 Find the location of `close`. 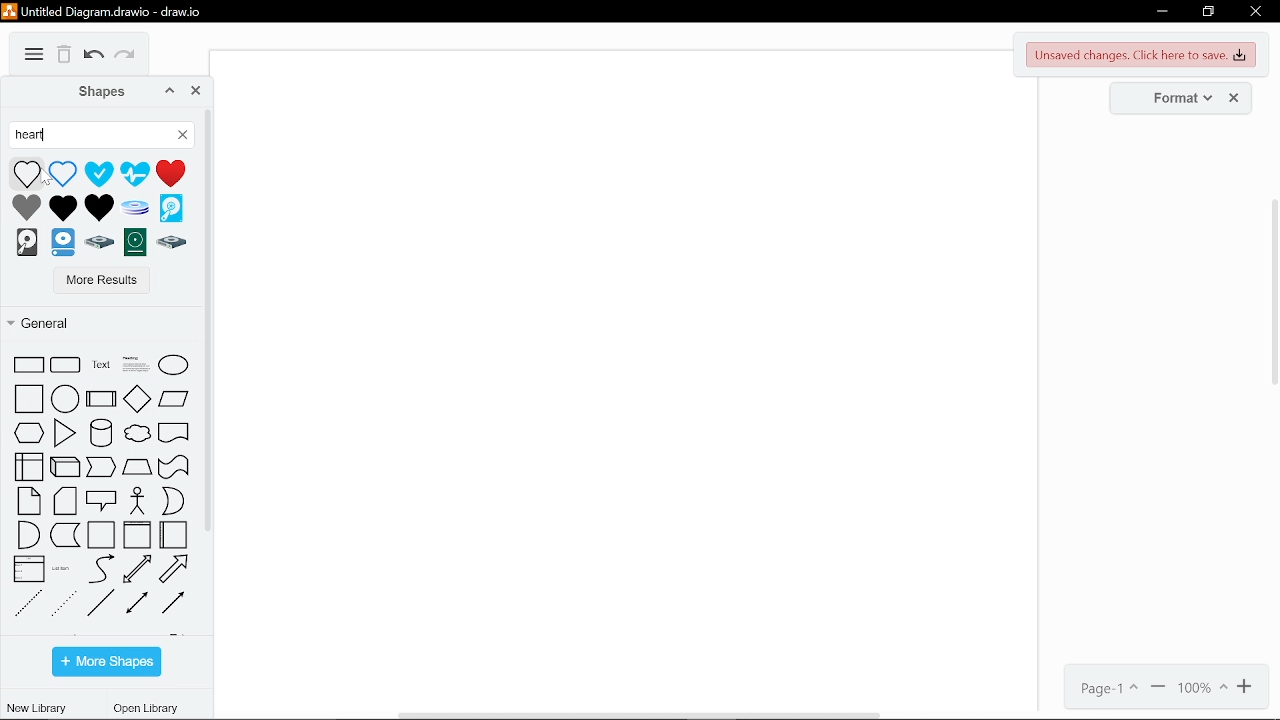

close is located at coordinates (1237, 98).